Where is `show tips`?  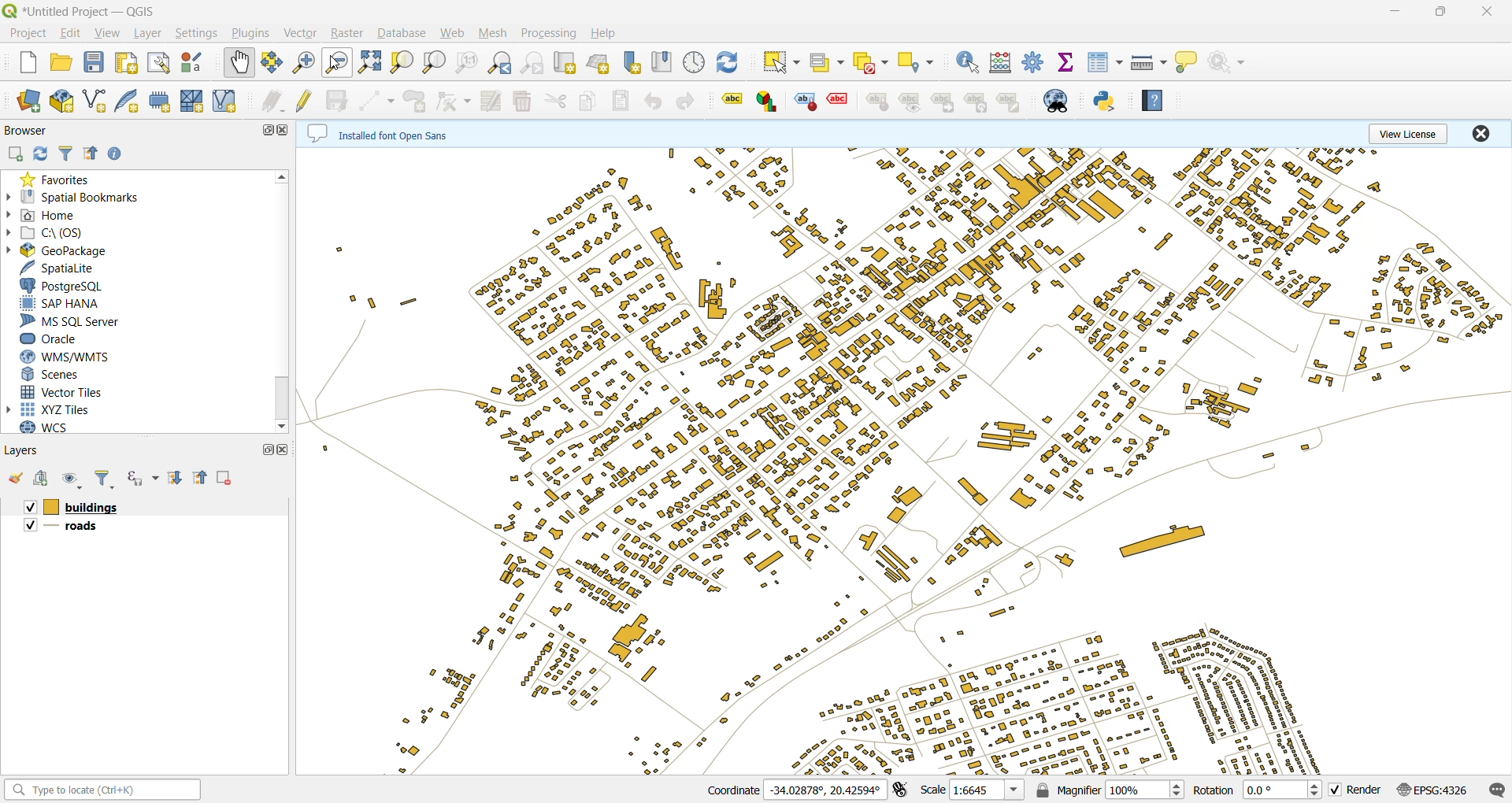 show tips is located at coordinates (1186, 64).